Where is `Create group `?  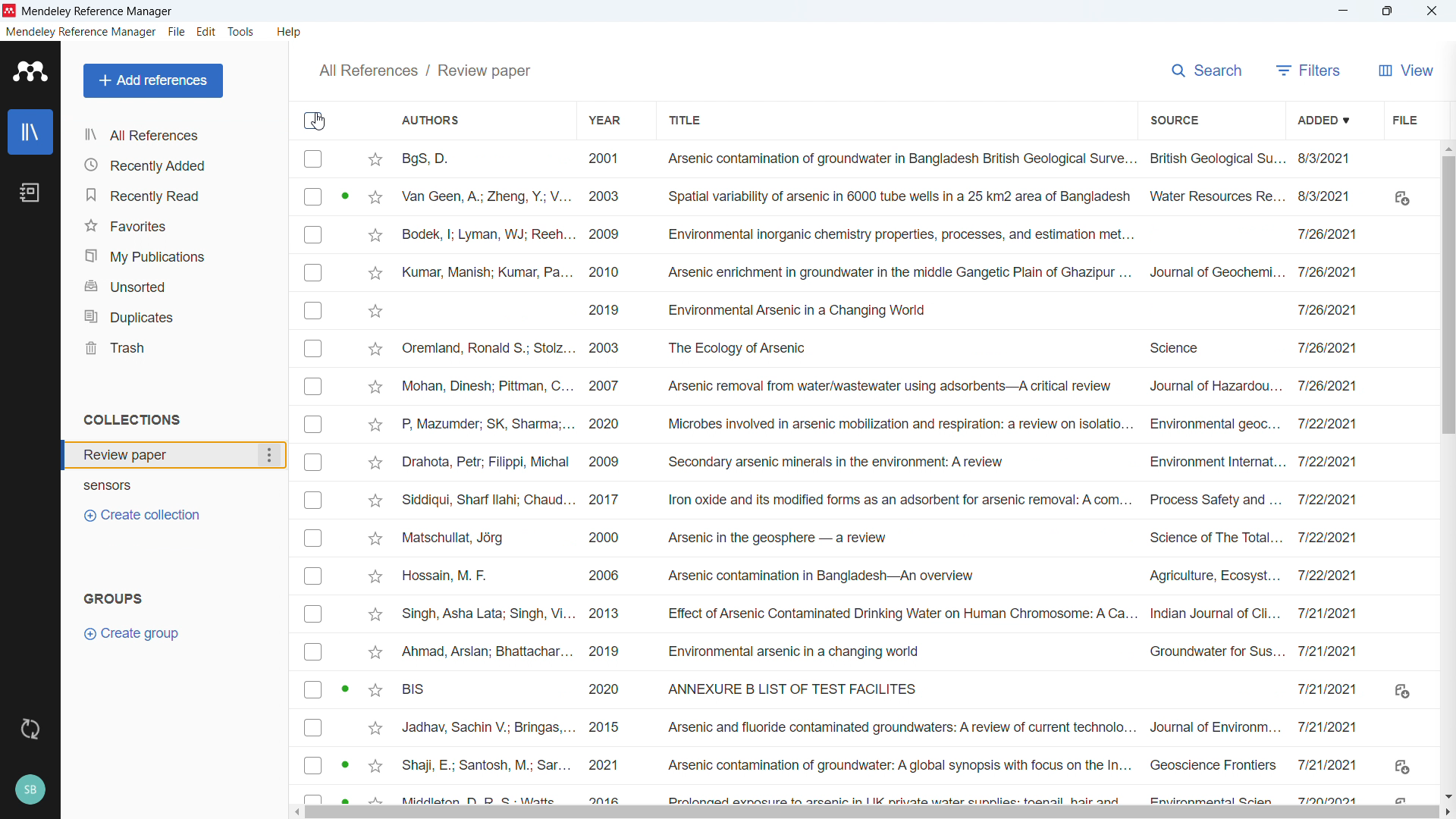
Create group  is located at coordinates (130, 632).